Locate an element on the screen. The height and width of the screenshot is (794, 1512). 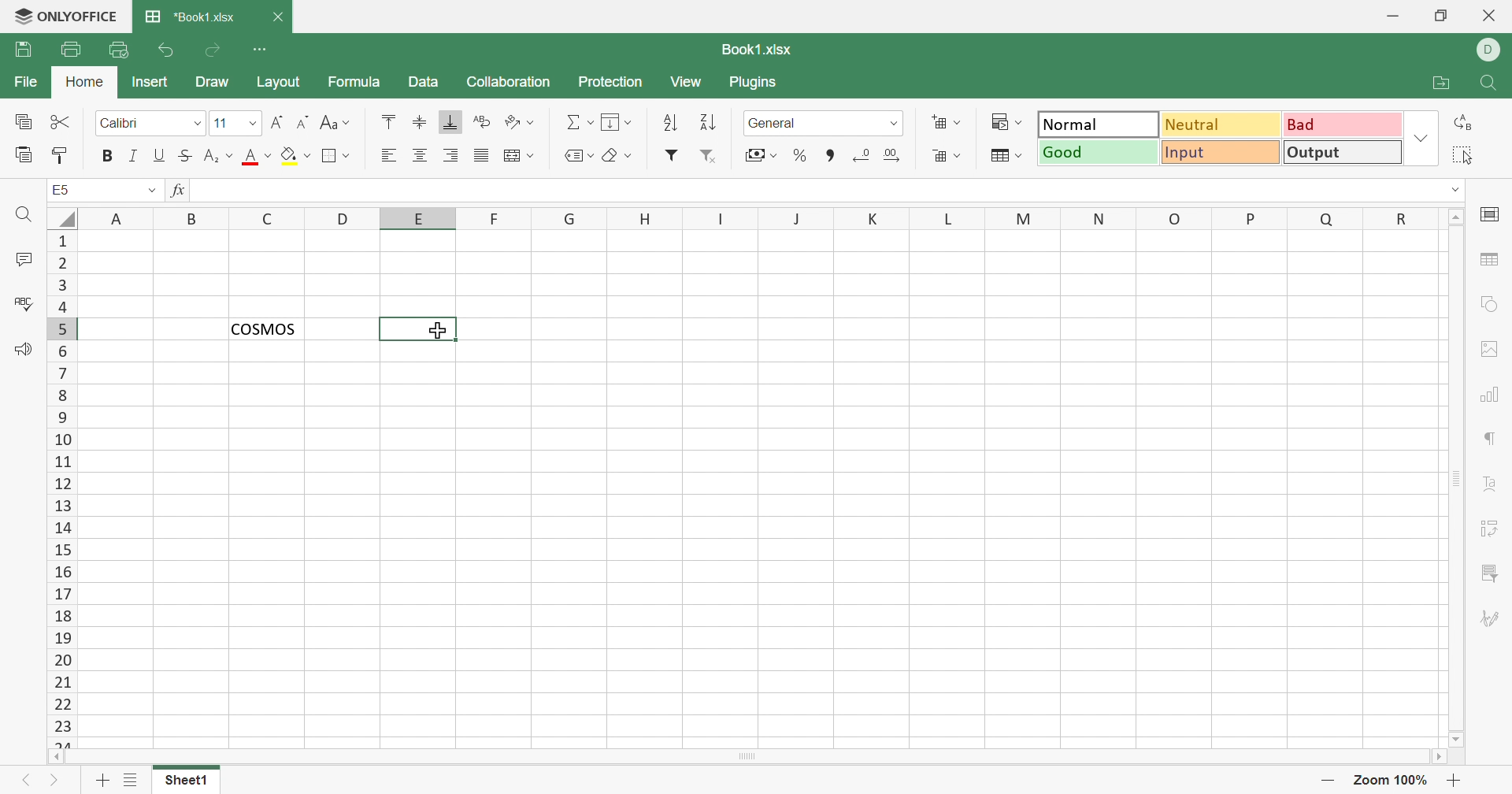
Scroll bar is located at coordinates (1458, 478).